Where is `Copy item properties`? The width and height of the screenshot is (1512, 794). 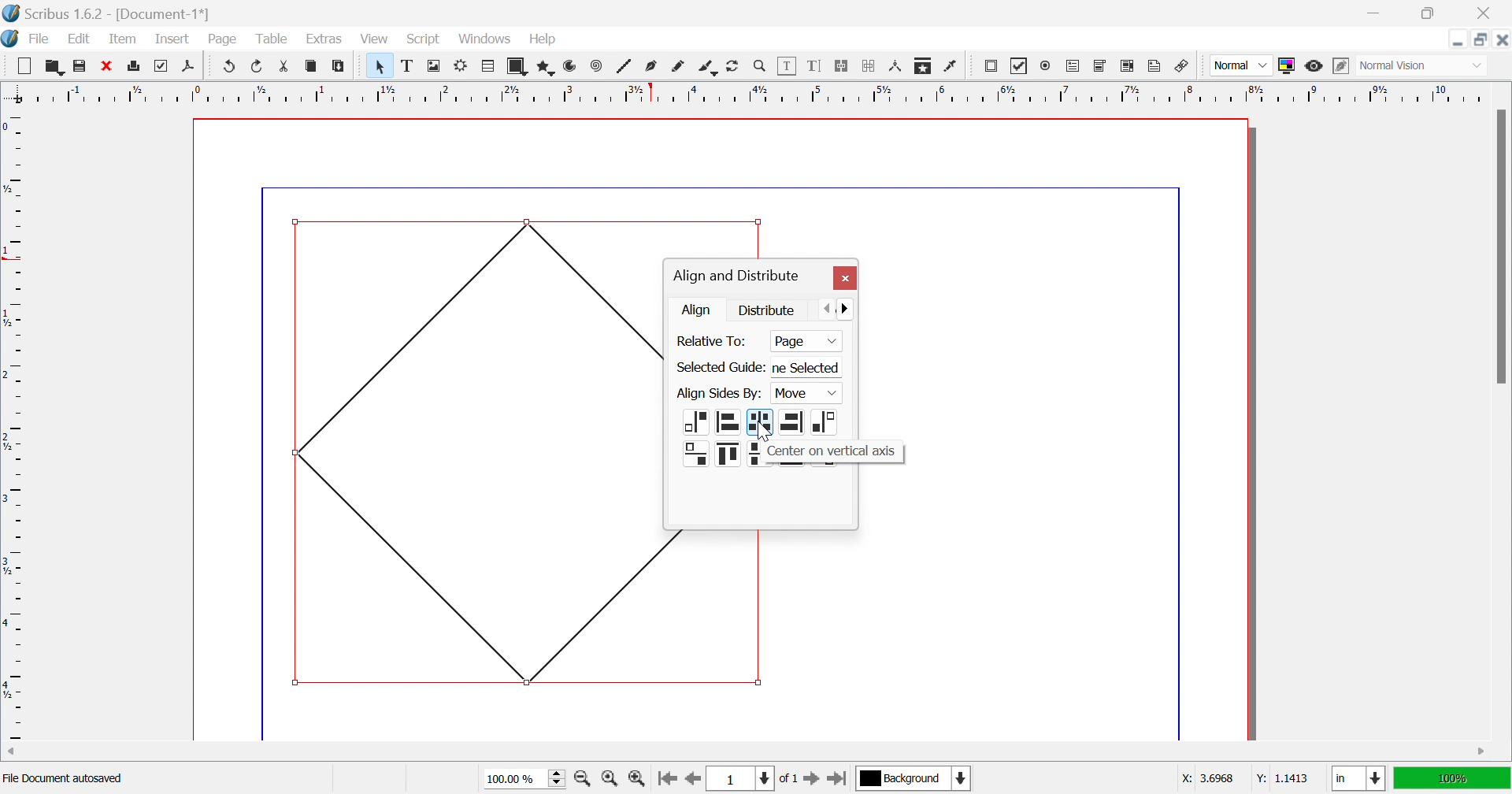 Copy item properties is located at coordinates (921, 67).